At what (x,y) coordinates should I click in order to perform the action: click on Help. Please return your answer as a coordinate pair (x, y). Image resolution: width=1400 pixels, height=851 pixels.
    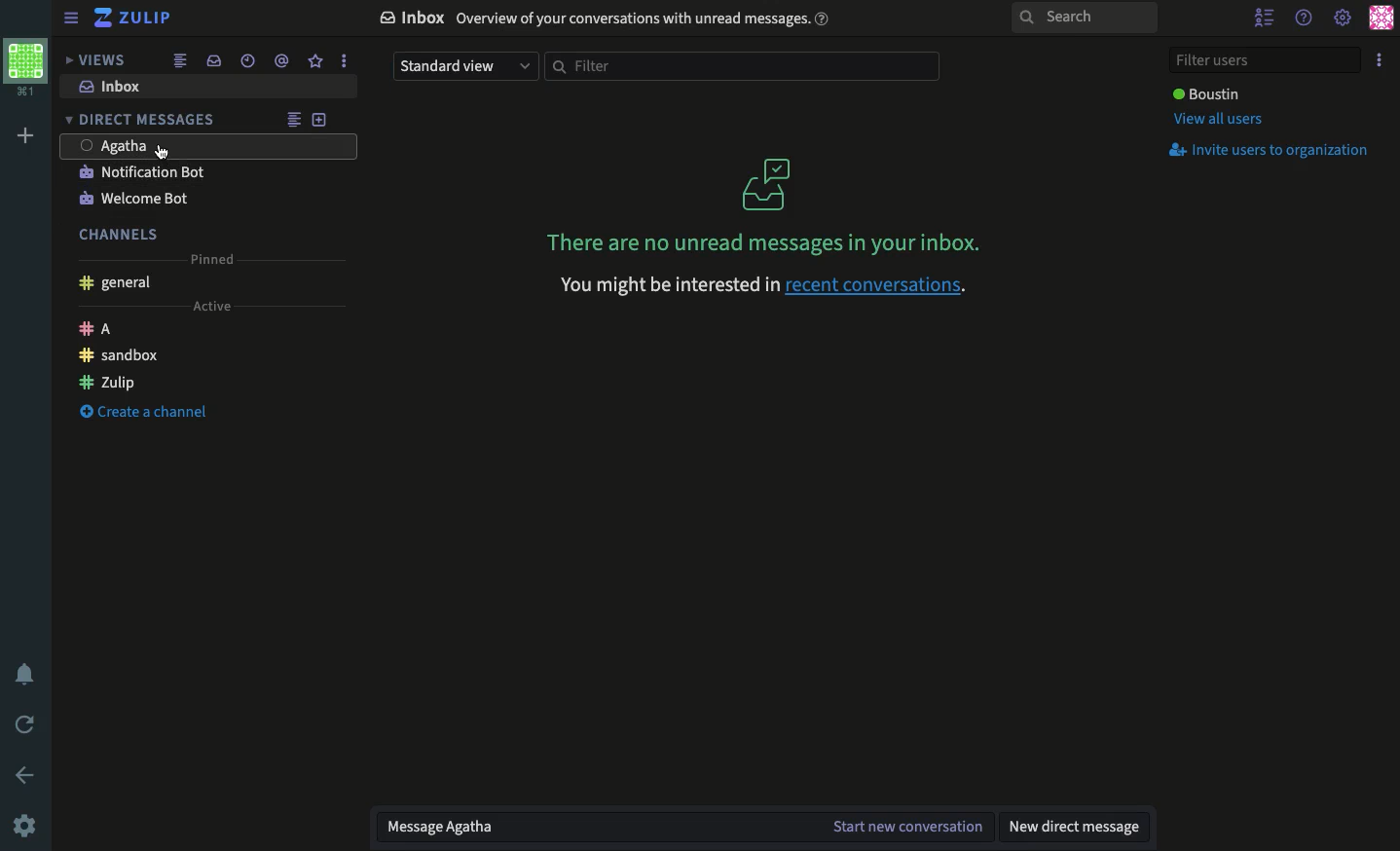
    Looking at the image, I should click on (1308, 19).